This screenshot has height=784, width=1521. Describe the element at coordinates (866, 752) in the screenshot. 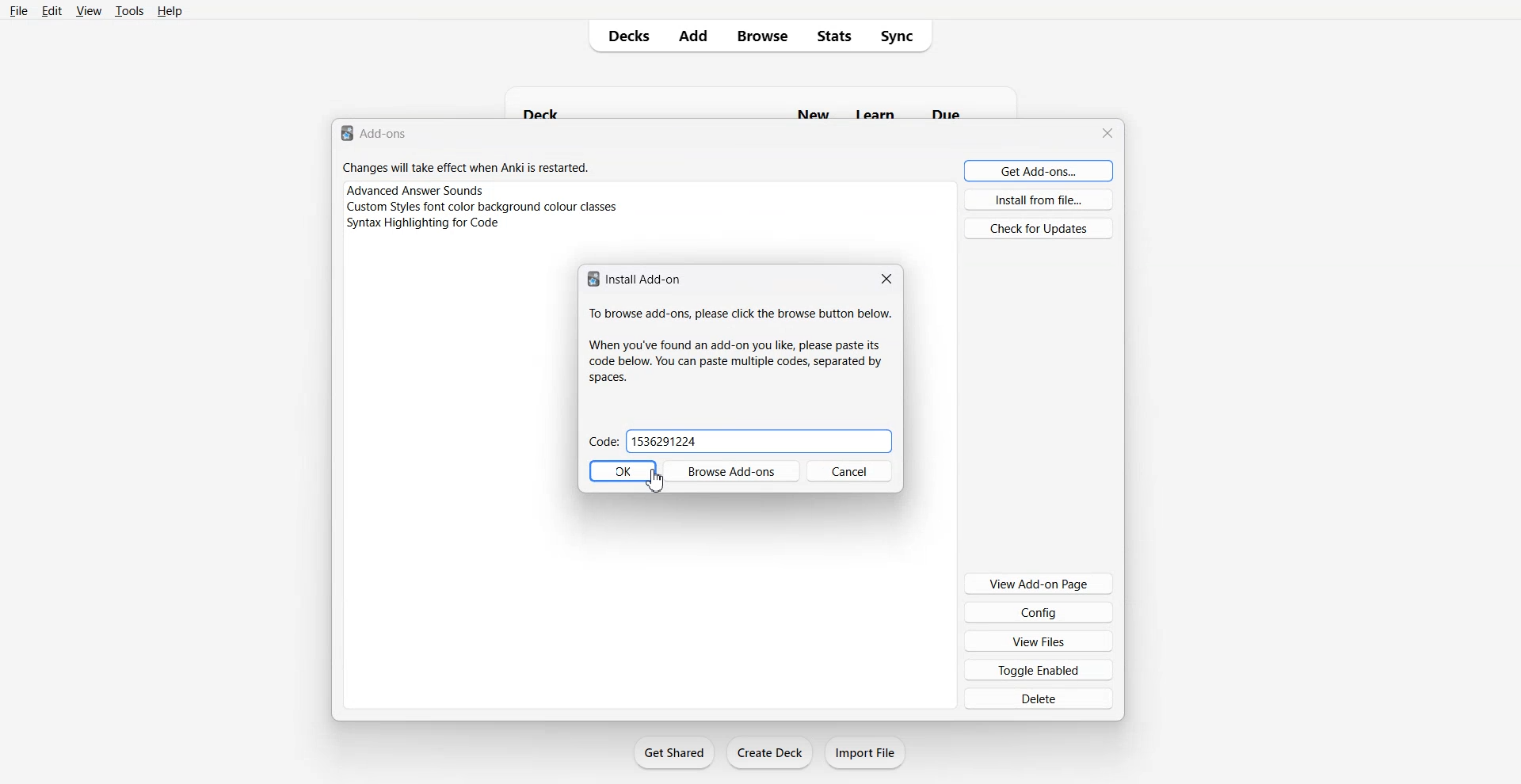

I see `Import File` at that location.